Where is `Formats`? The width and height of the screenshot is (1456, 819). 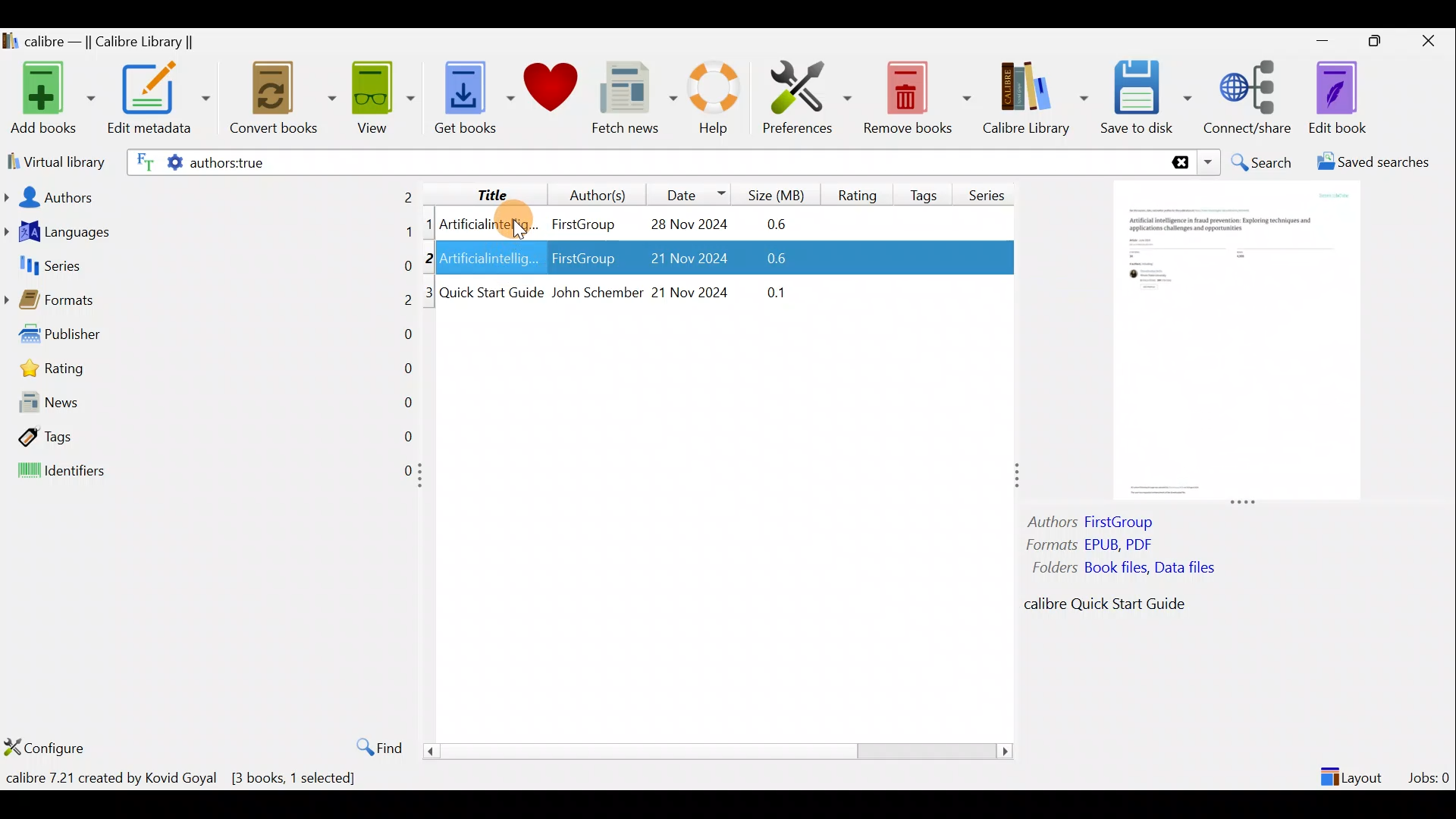
Formats is located at coordinates (209, 304).